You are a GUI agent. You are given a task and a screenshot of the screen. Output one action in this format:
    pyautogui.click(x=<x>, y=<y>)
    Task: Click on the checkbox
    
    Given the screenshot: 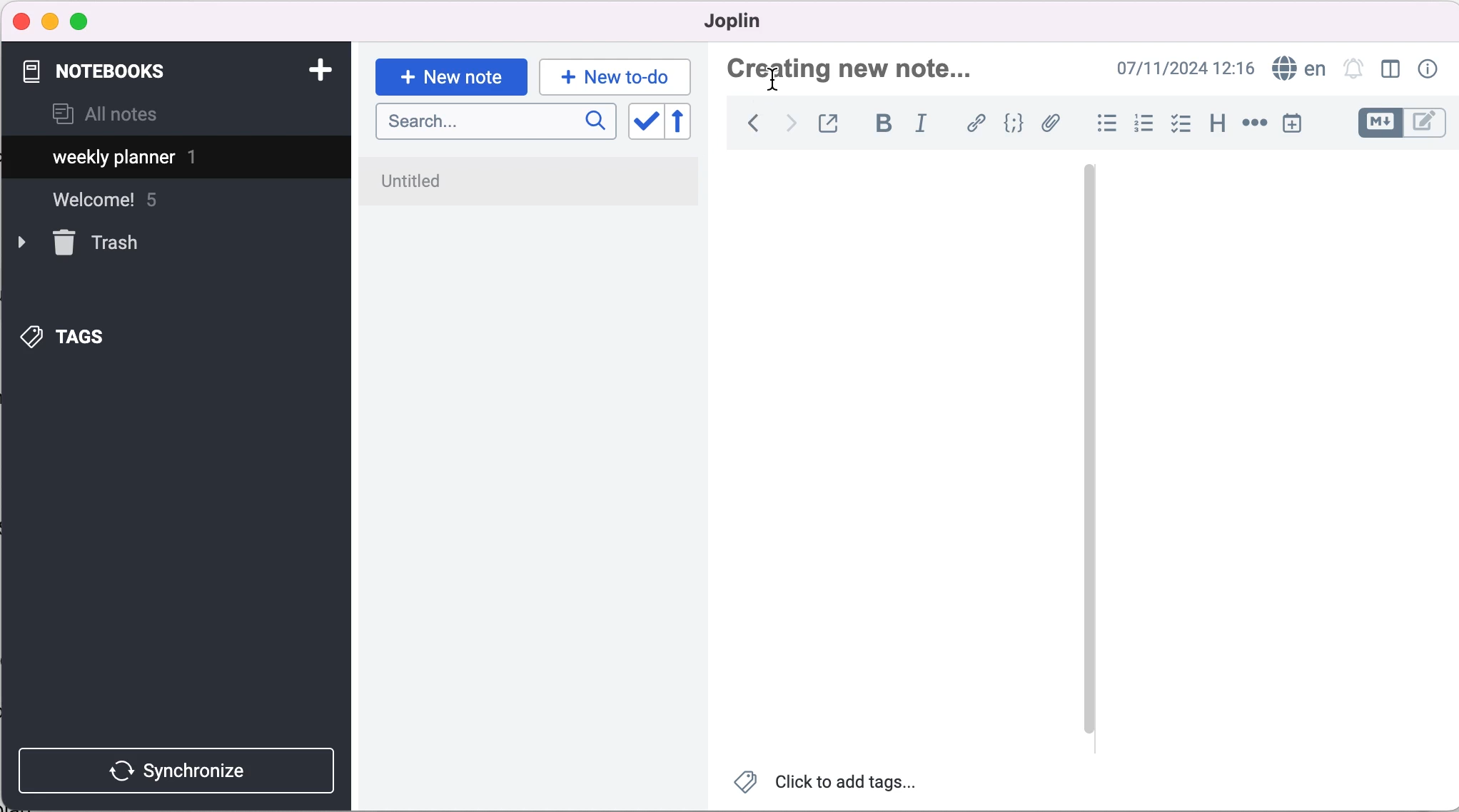 What is the action you would take?
    pyautogui.click(x=1181, y=124)
    